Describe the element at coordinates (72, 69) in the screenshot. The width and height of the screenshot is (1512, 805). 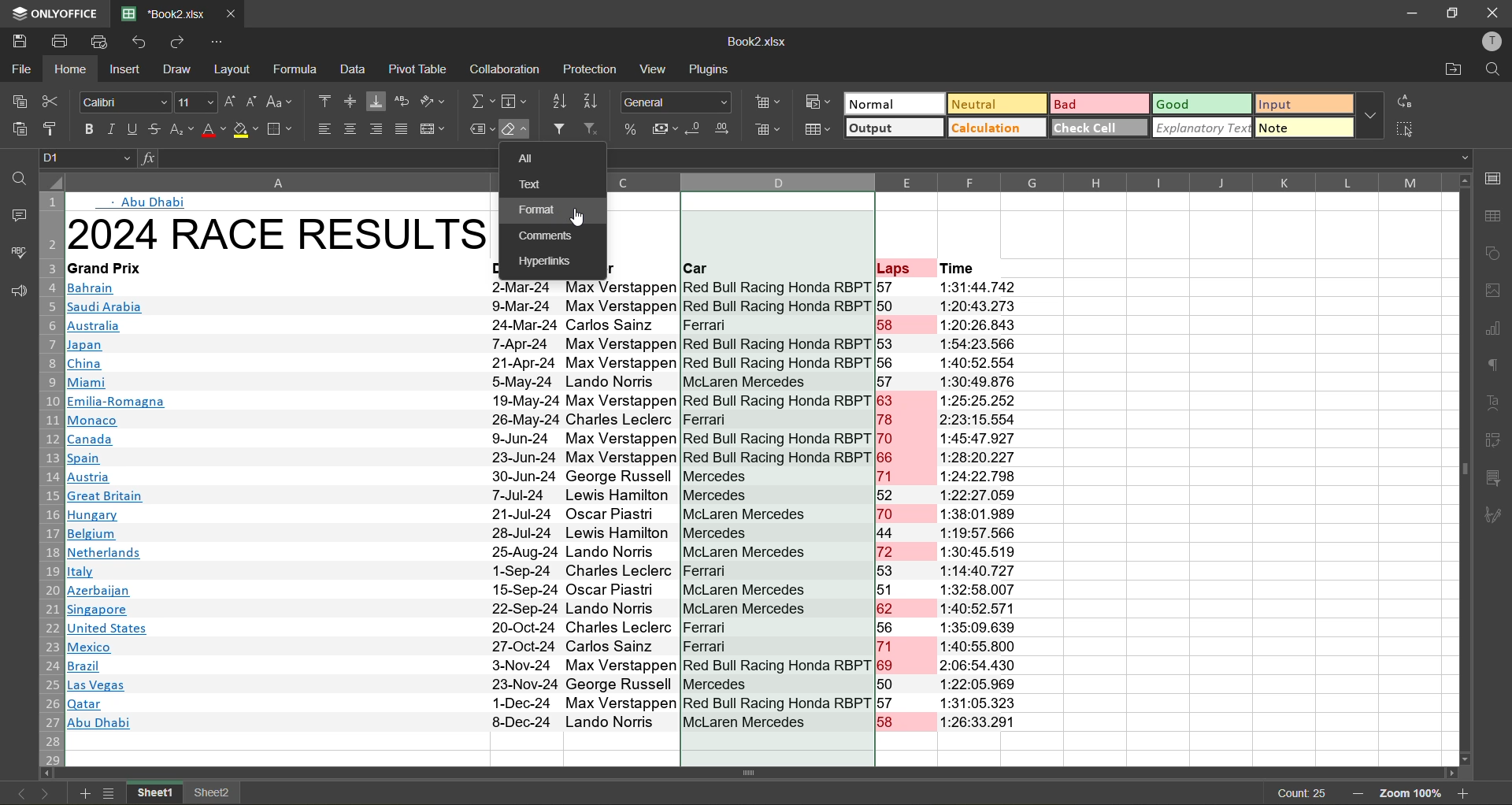
I see `home` at that location.